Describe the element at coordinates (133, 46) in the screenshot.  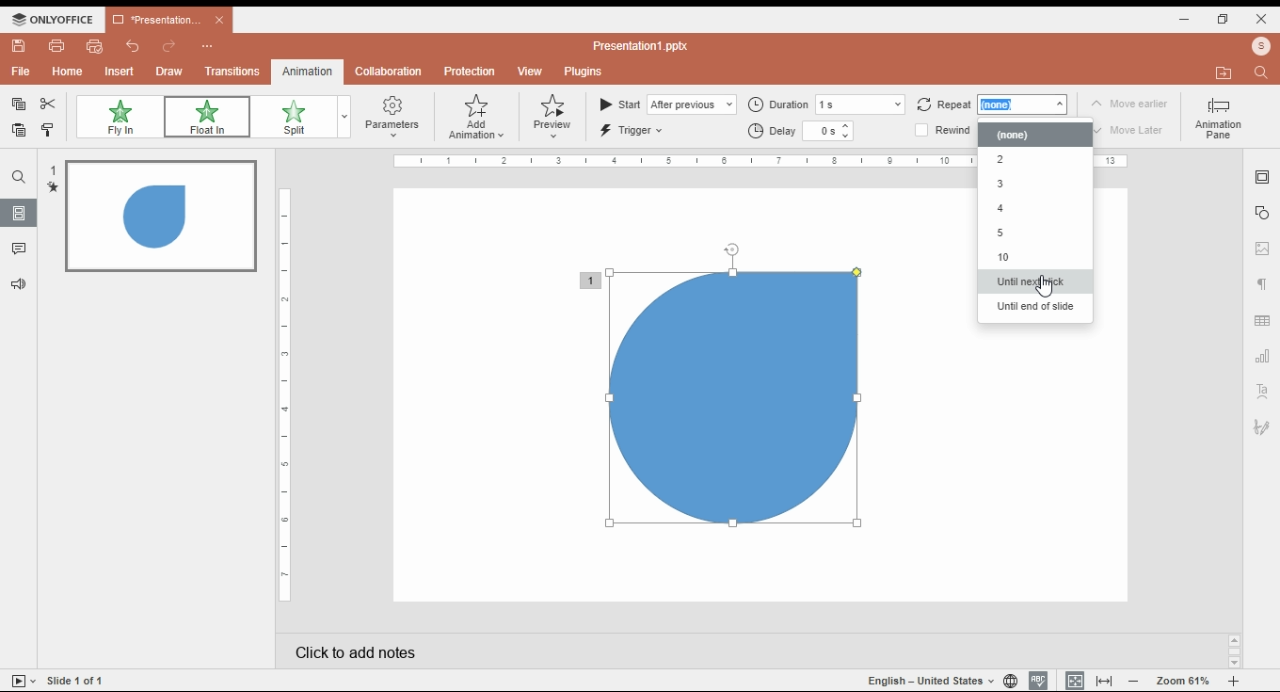
I see `undo` at that location.